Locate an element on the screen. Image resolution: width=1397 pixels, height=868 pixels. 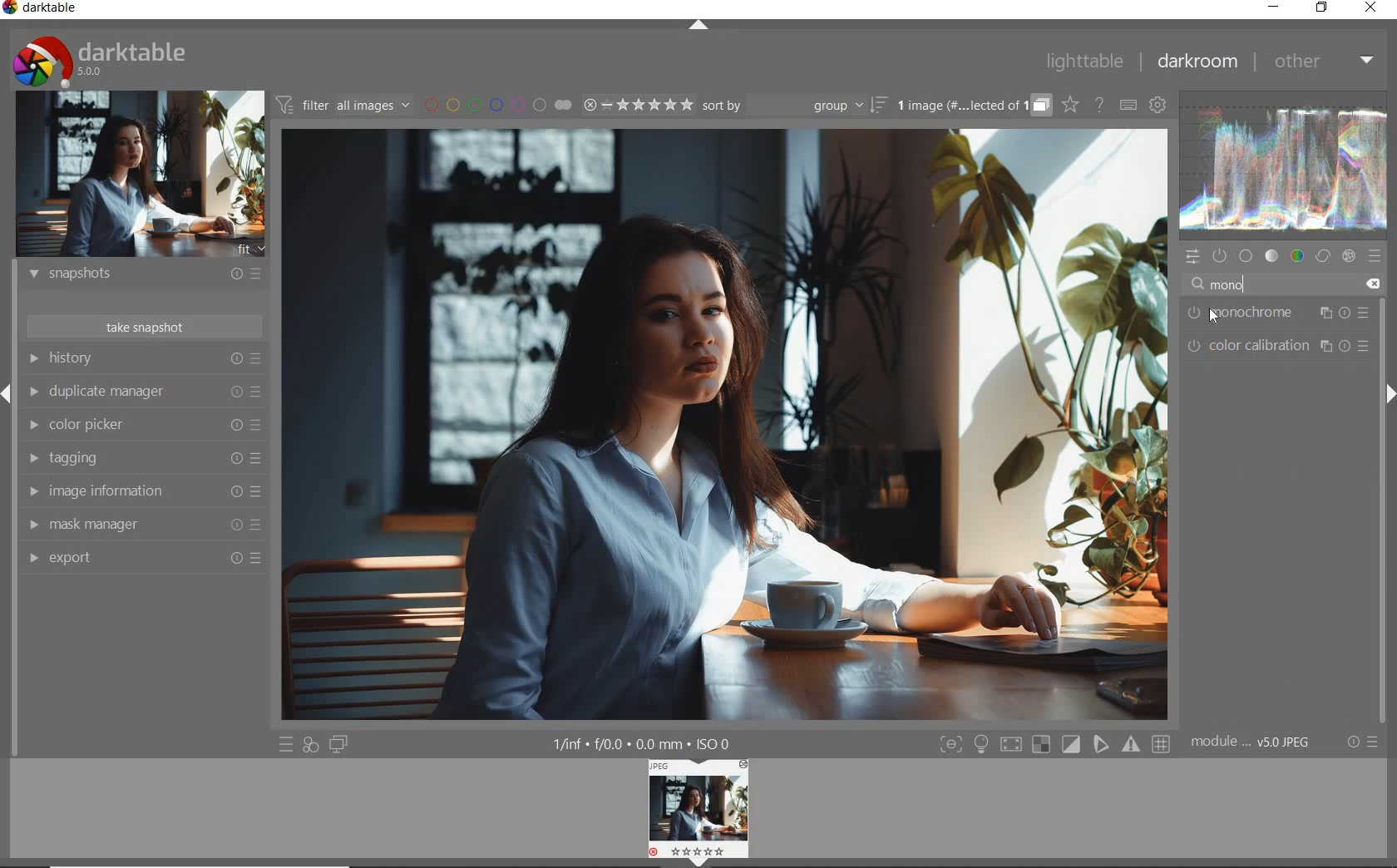
input value is located at coordinates (1286, 282).